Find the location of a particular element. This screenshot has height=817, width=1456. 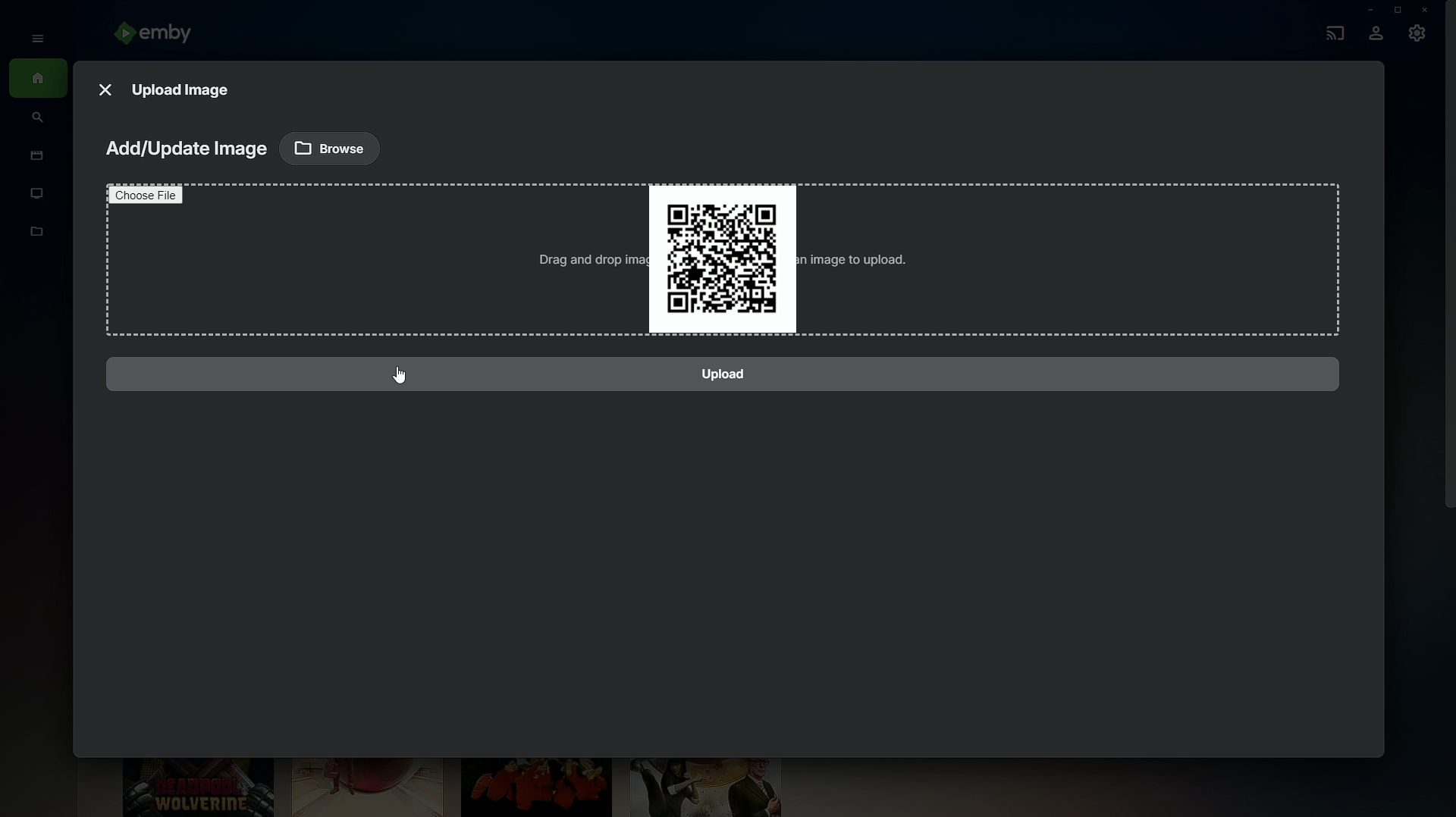

Settings is located at coordinates (1418, 37).